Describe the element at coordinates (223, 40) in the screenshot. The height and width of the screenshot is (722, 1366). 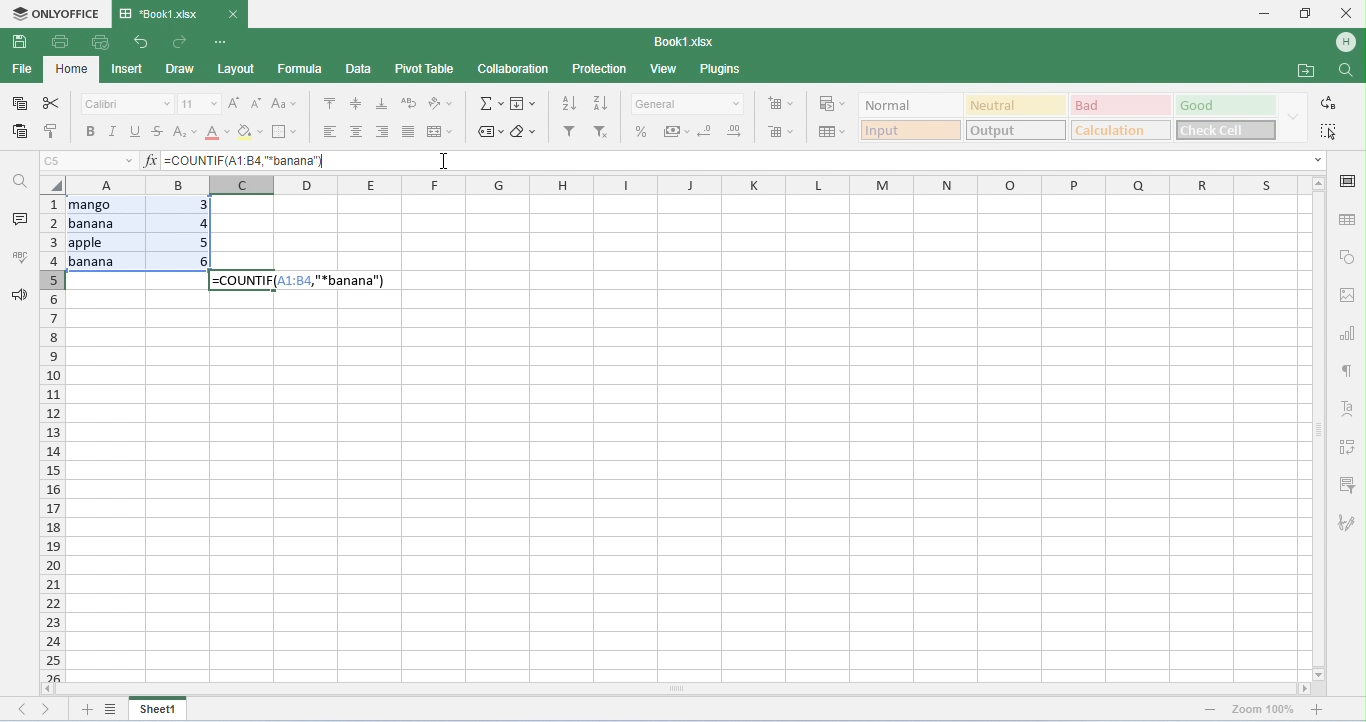
I see `customize quick access tool bar` at that location.